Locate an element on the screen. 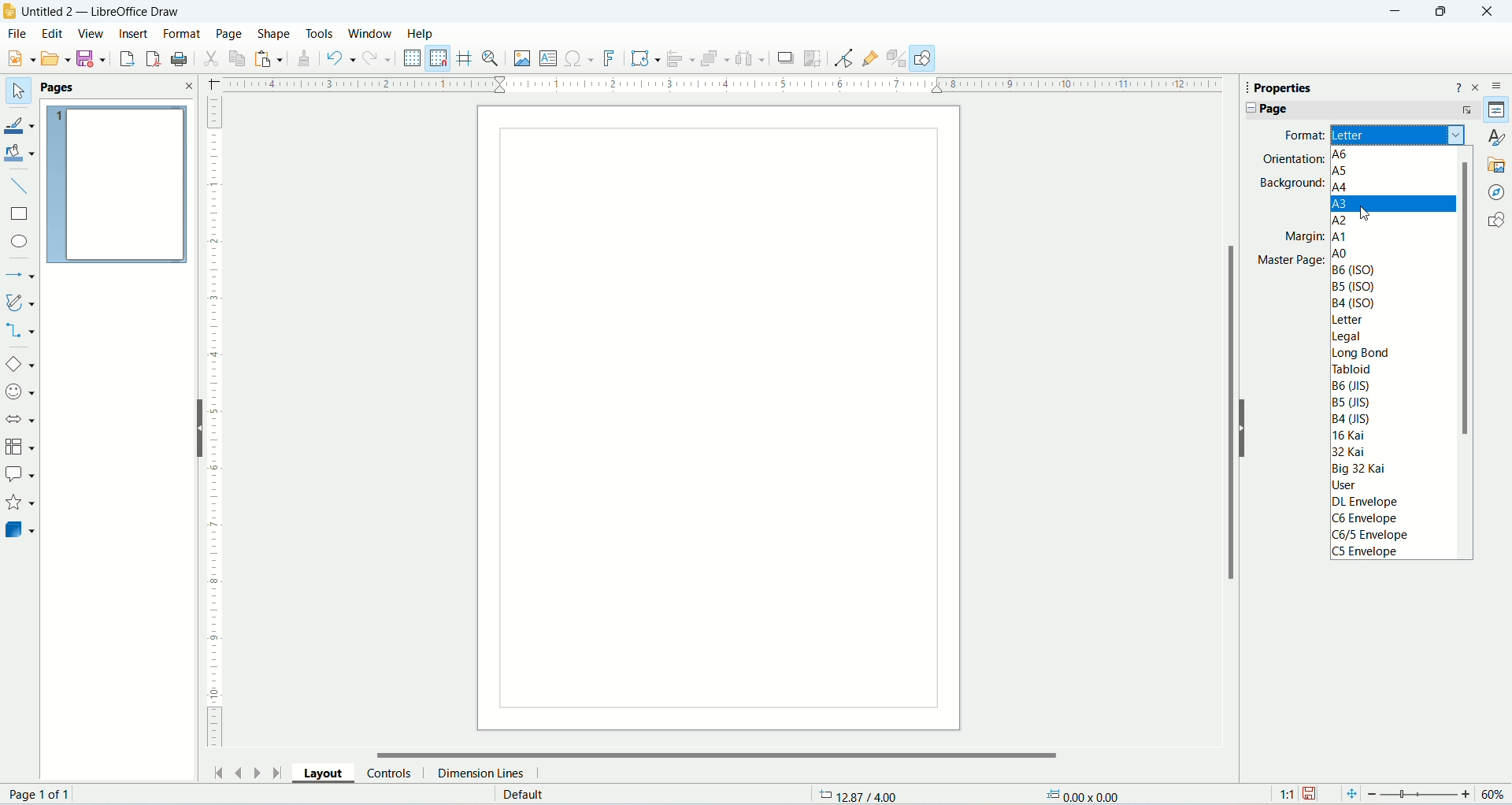  page is located at coordinates (42, 794).